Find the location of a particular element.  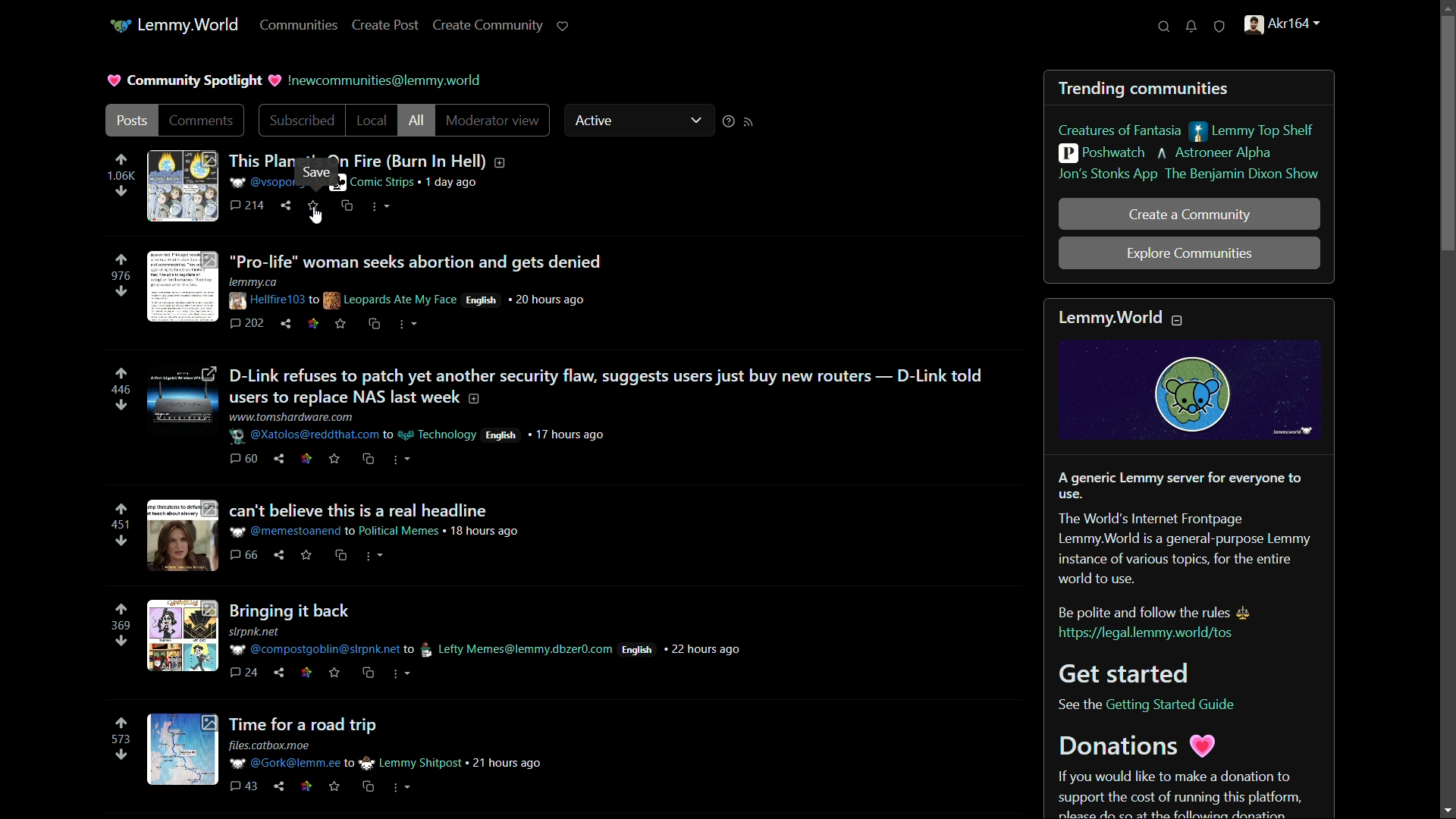

communities is located at coordinates (302, 26).